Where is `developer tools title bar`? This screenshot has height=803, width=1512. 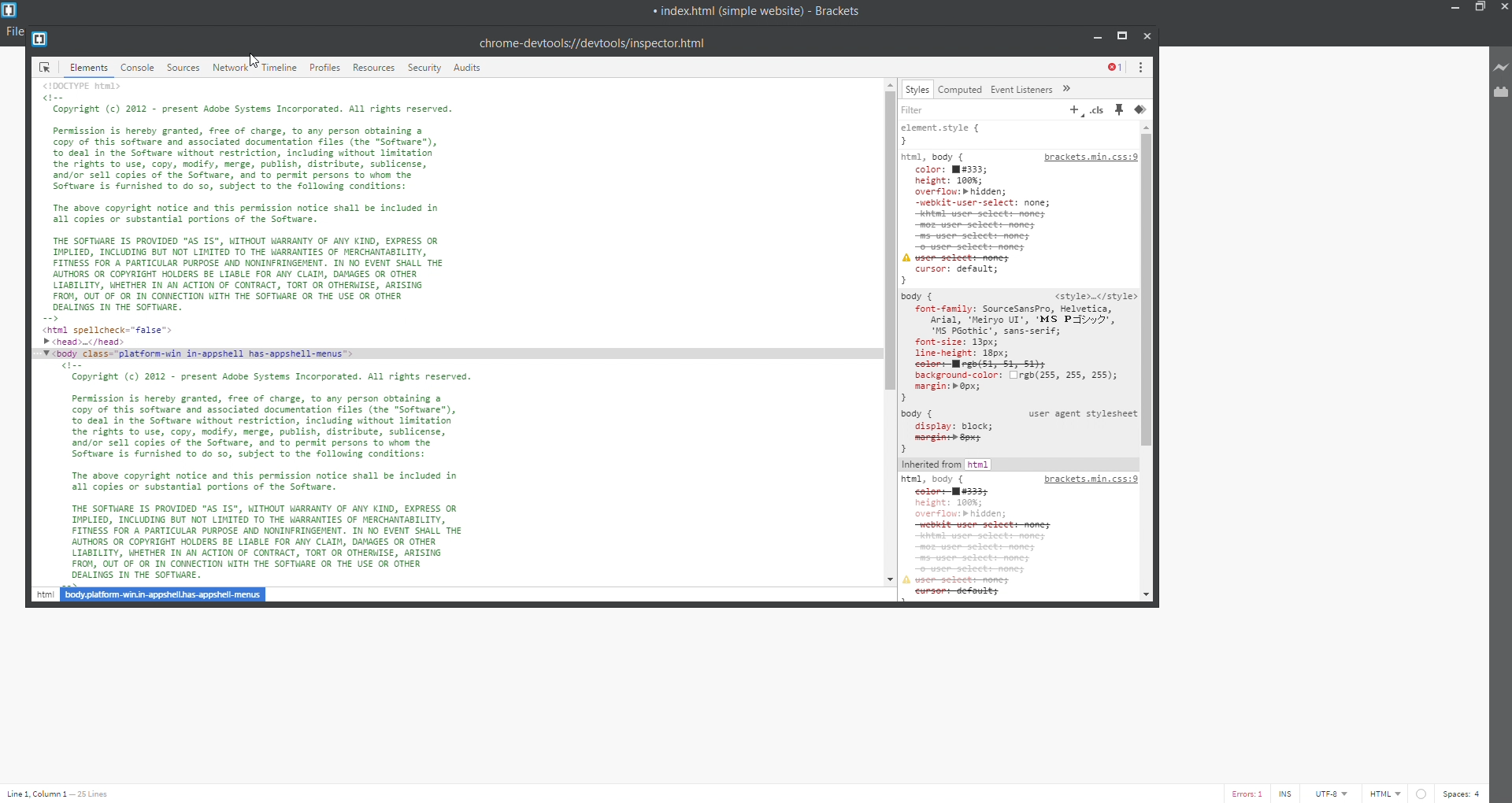
developer tools title bar is located at coordinates (552, 37).